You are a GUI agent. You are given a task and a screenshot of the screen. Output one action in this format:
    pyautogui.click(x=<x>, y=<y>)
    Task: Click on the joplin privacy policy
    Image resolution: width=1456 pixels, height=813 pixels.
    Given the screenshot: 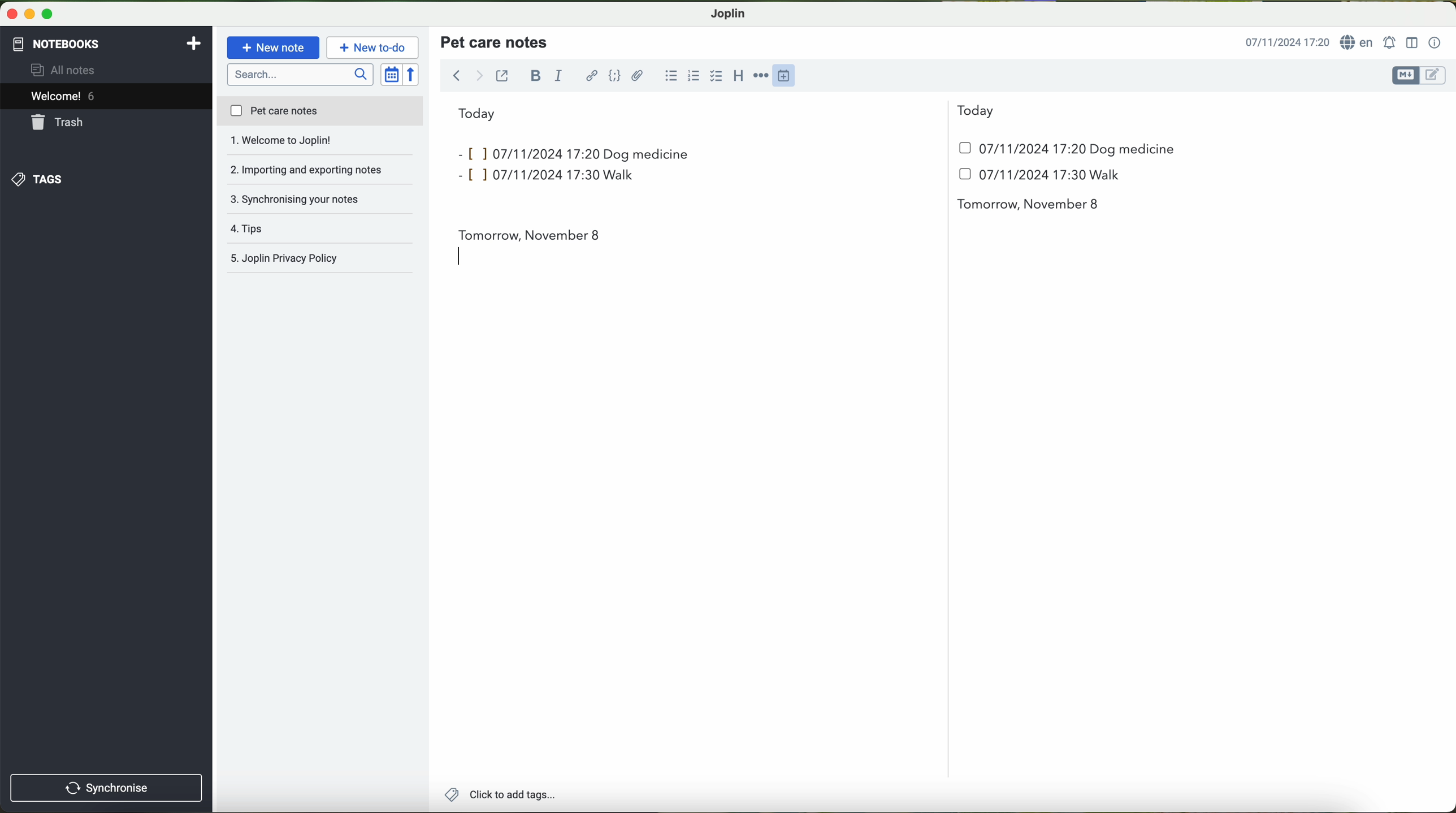 What is the action you would take?
    pyautogui.click(x=314, y=260)
    